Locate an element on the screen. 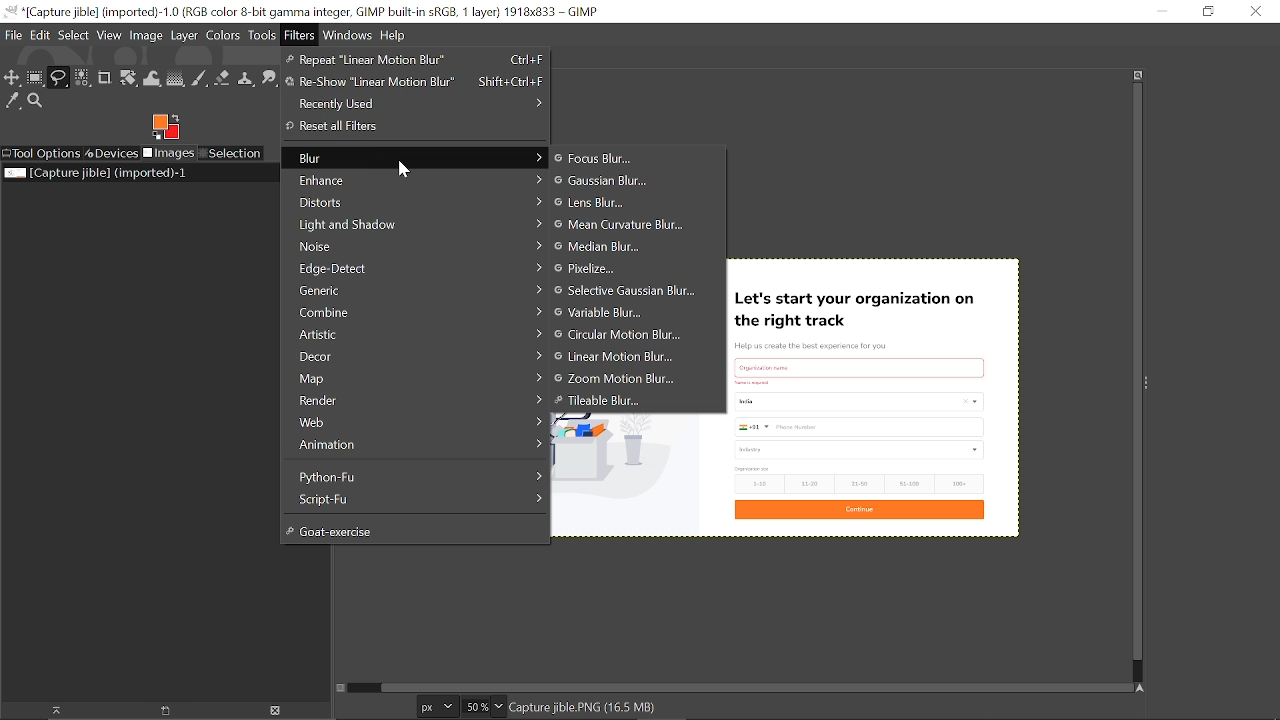 This screenshot has width=1280, height=720. Capture jible.PNG(16.5 MB) is located at coordinates (583, 709).